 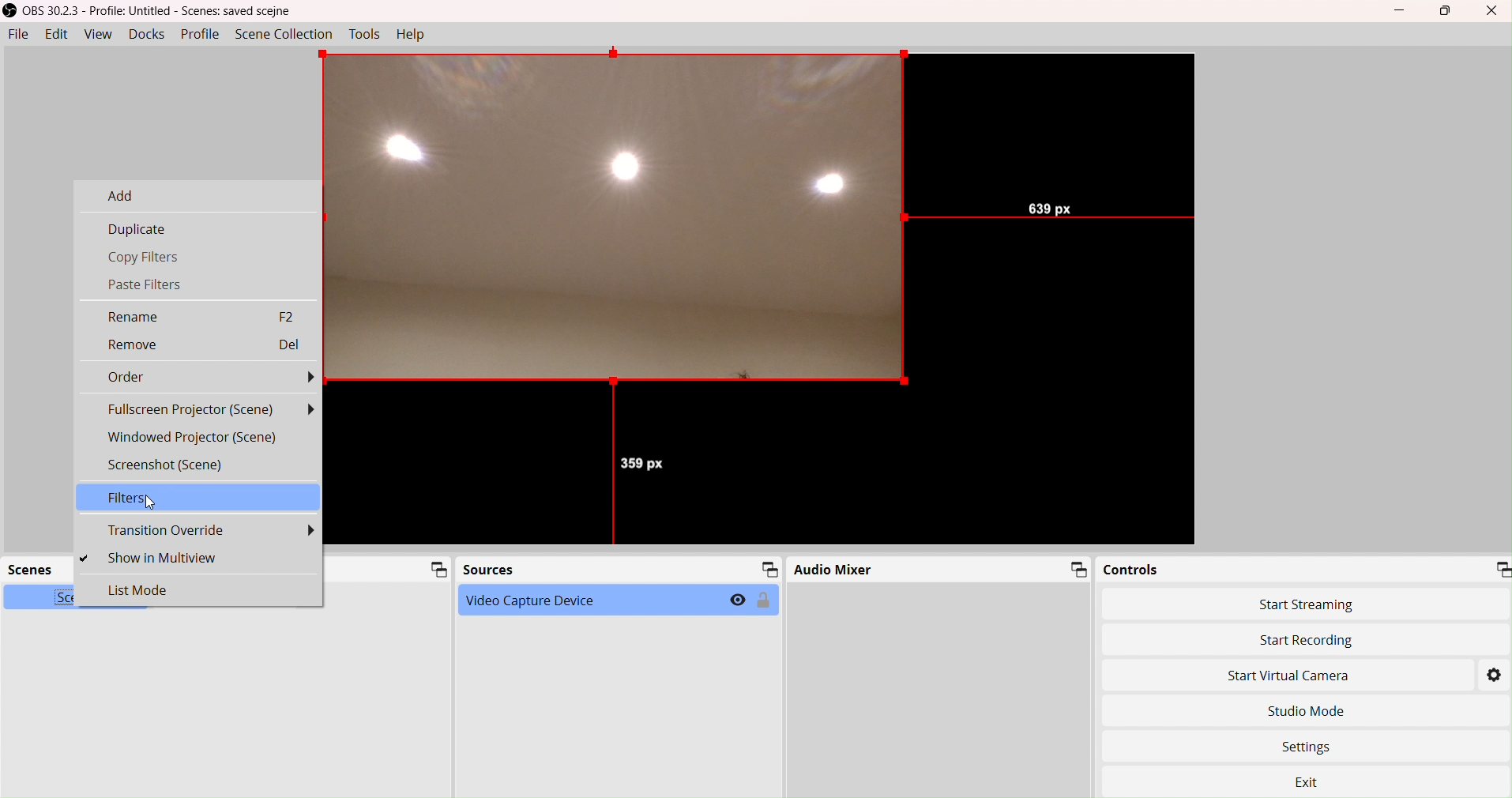 I want to click on Copy Filters, so click(x=148, y=259).